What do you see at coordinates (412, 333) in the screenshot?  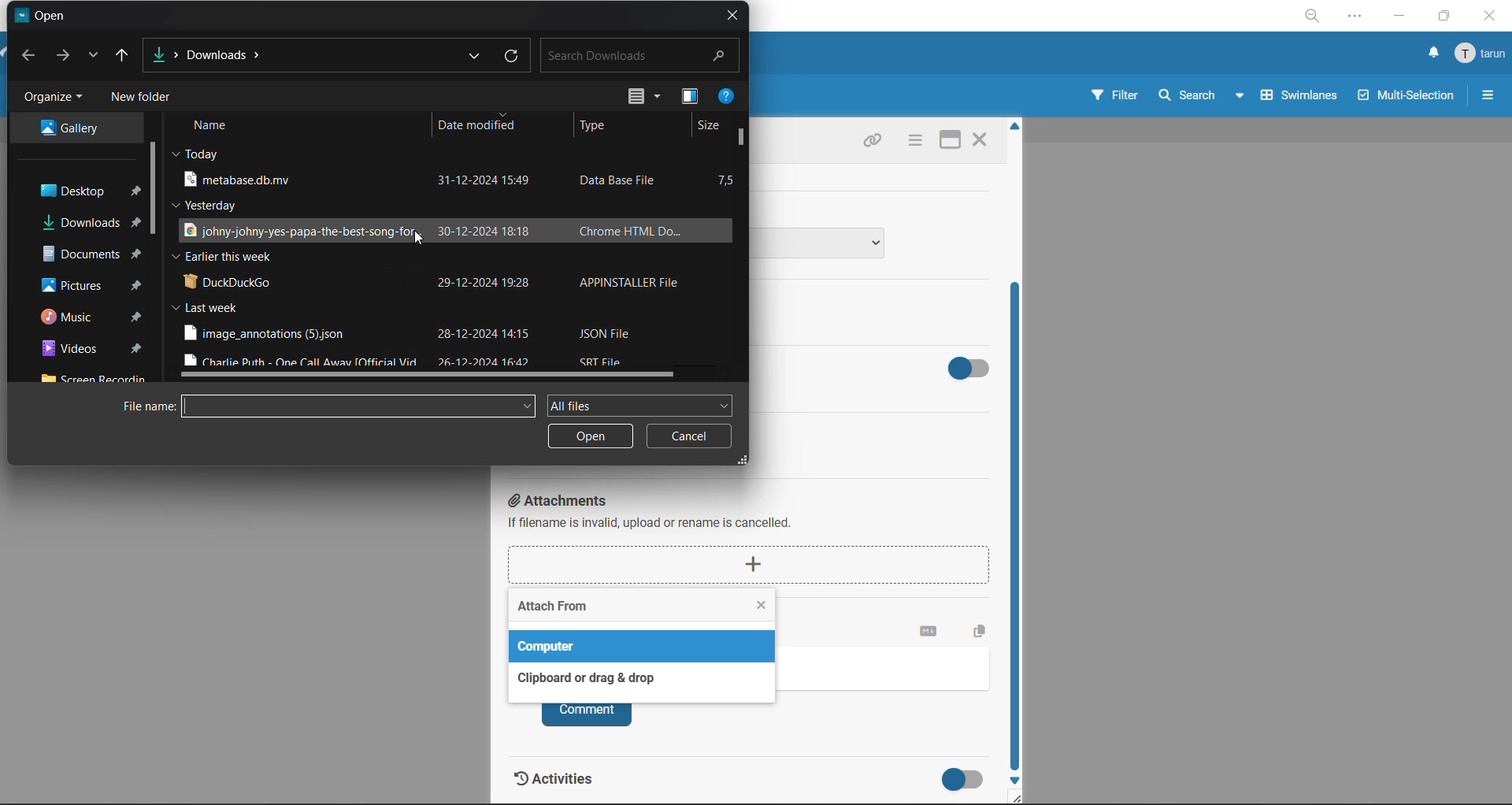 I see `file with date and type` at bounding box center [412, 333].